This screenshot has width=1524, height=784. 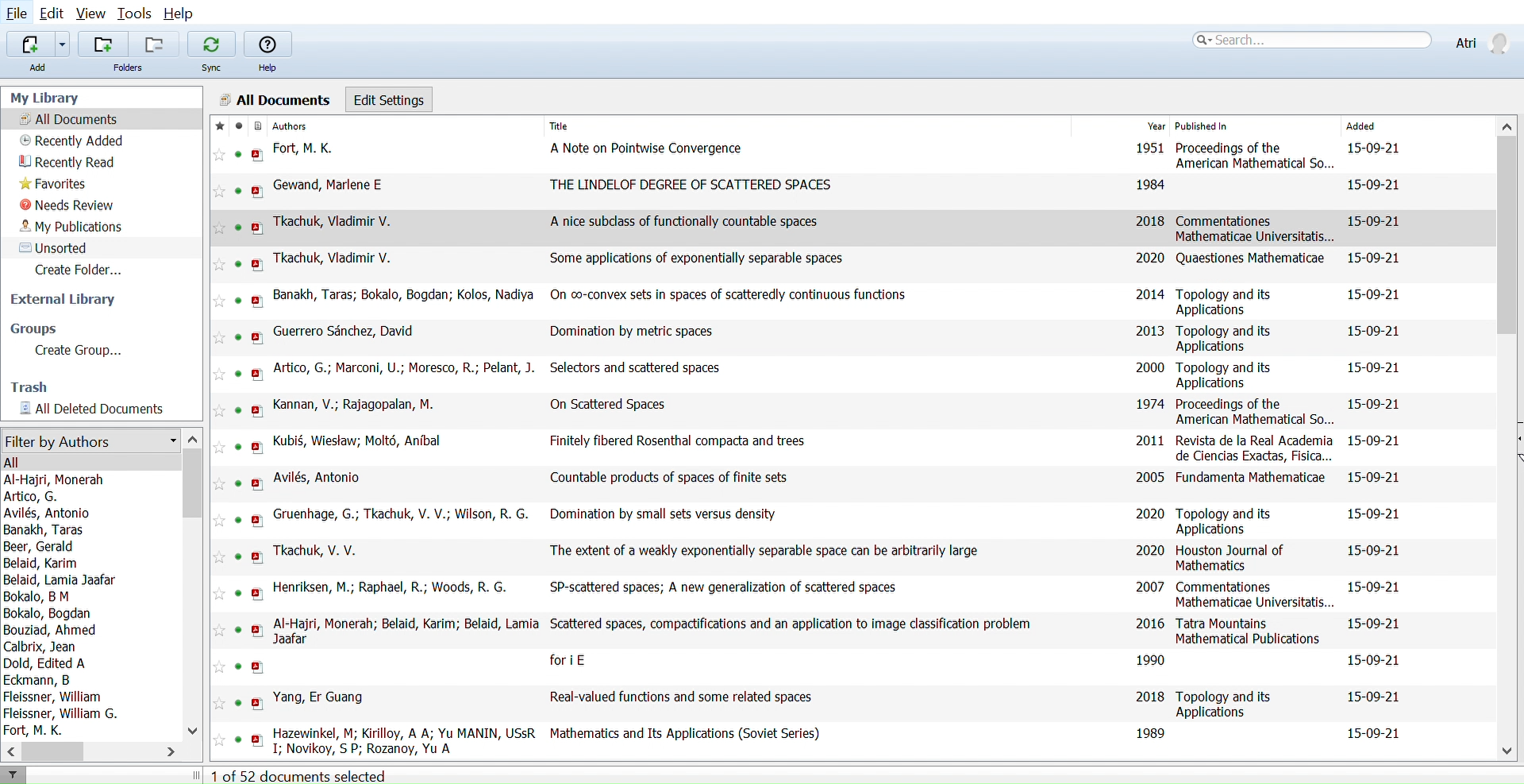 What do you see at coordinates (636, 332) in the screenshot?
I see `Domination by metric spaces` at bounding box center [636, 332].